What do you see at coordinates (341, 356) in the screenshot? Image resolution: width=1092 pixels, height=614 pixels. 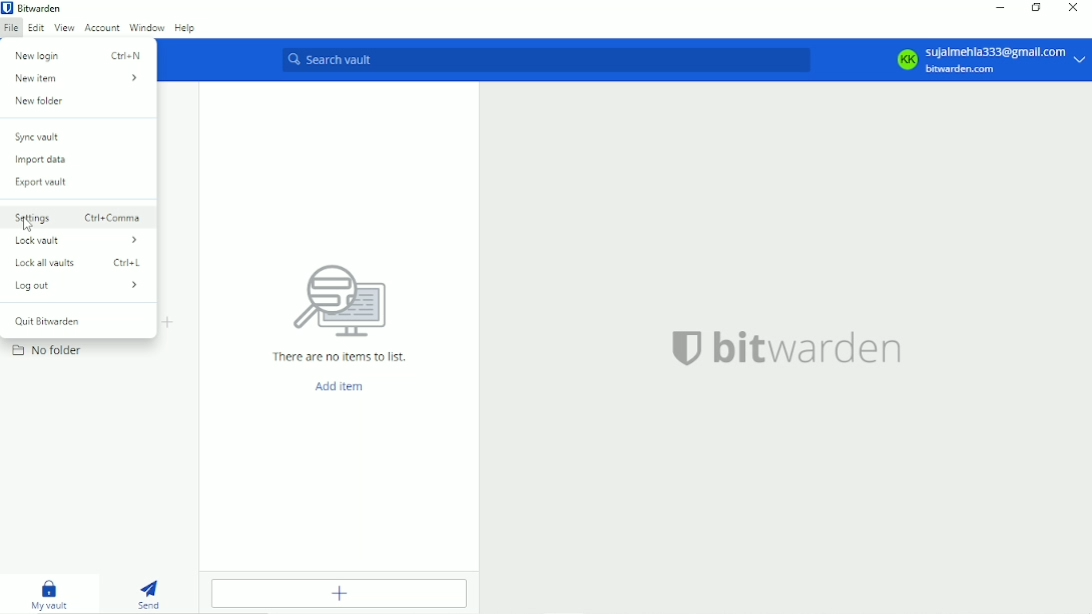 I see `There are no items to list` at bounding box center [341, 356].